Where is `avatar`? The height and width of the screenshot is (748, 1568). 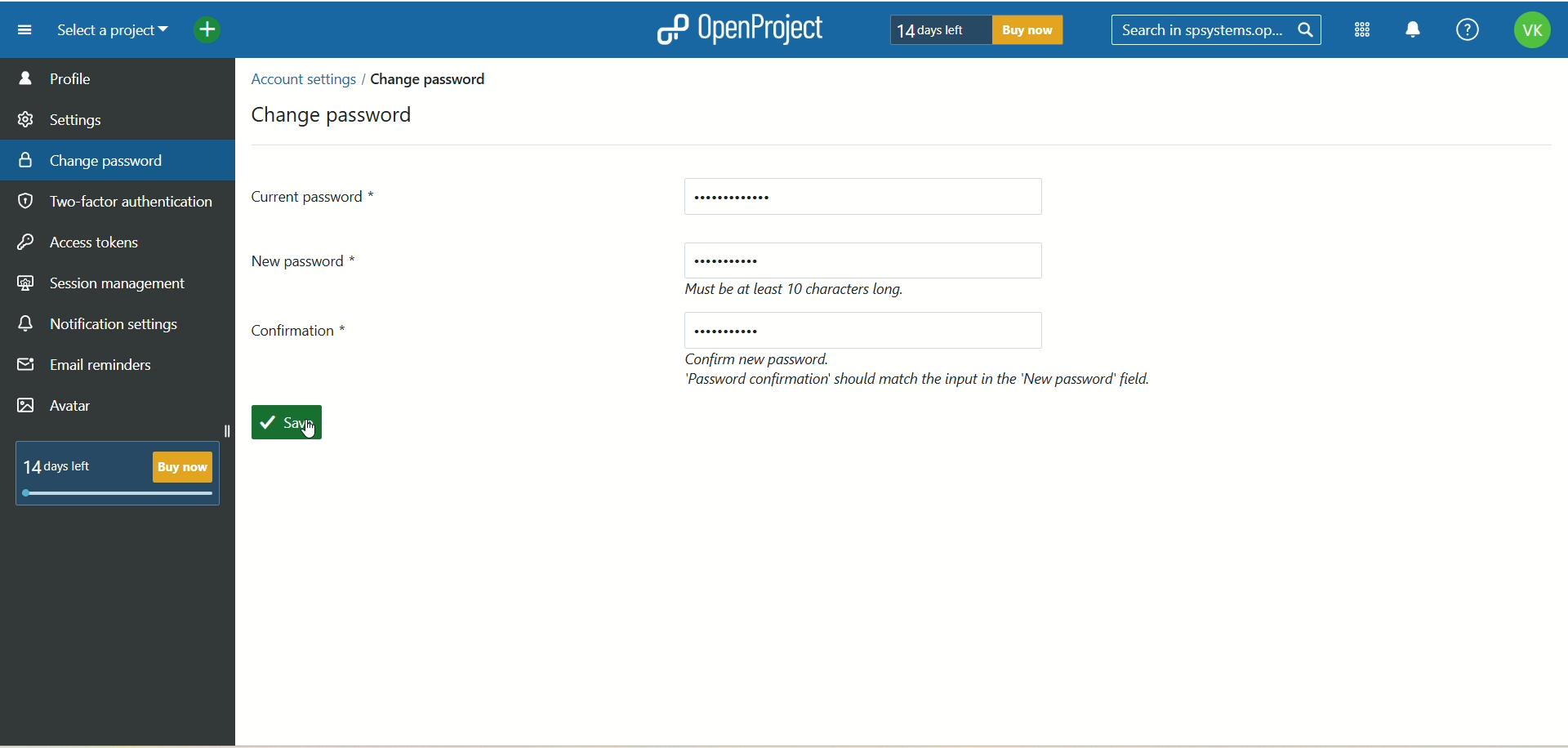 avatar is located at coordinates (58, 407).